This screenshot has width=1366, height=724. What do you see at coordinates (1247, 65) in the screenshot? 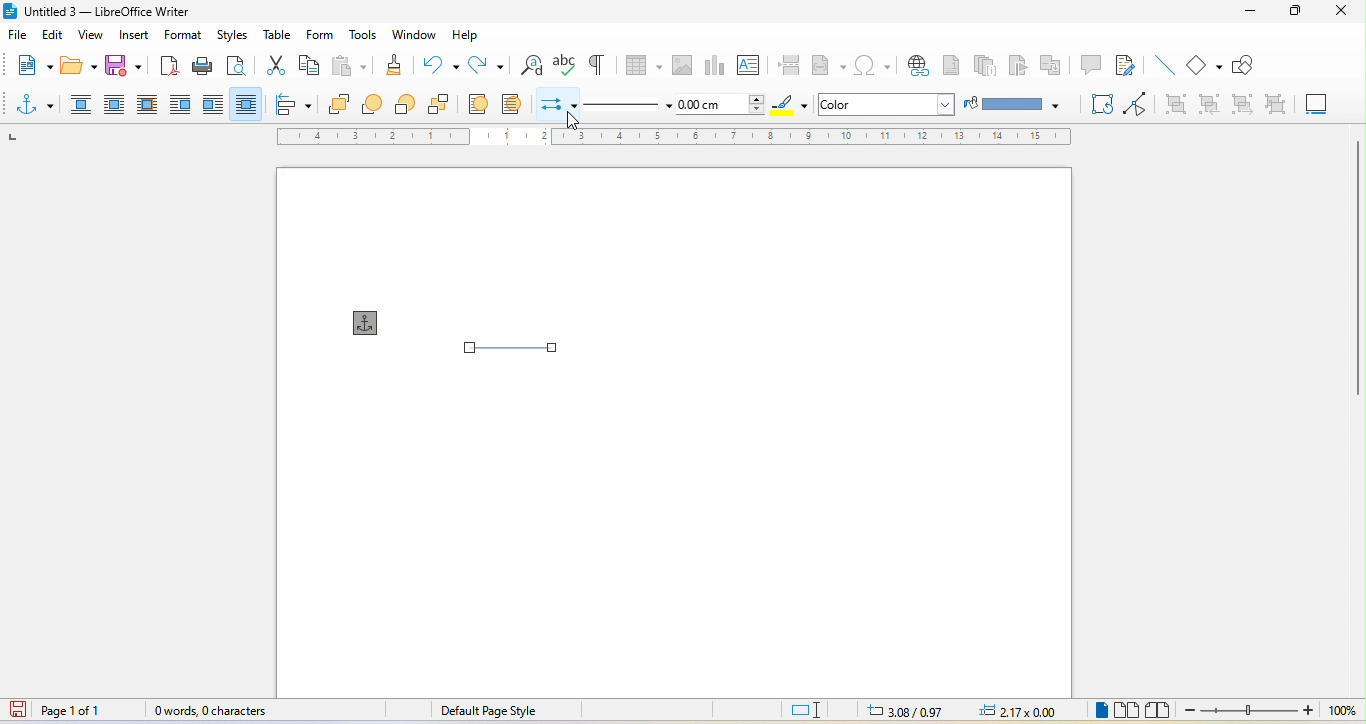
I see `show draw function` at bounding box center [1247, 65].